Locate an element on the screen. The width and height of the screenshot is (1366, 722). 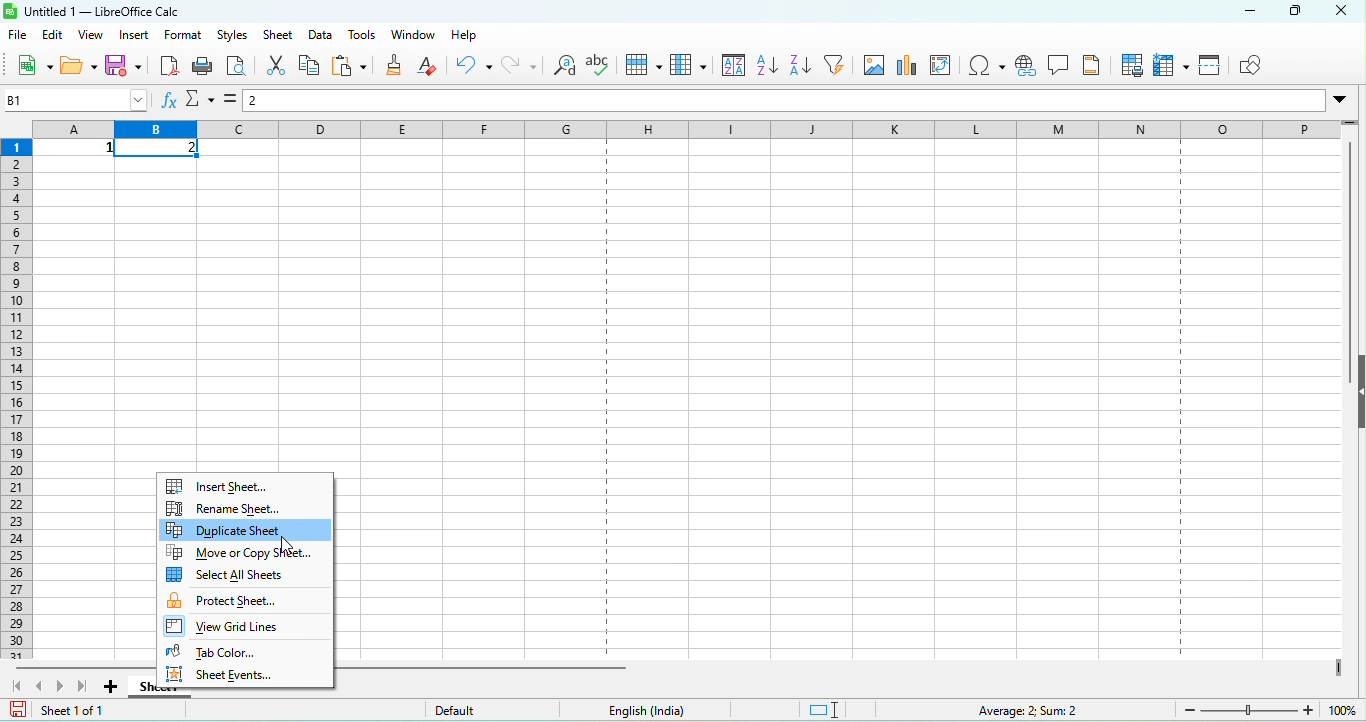
open is located at coordinates (78, 65).